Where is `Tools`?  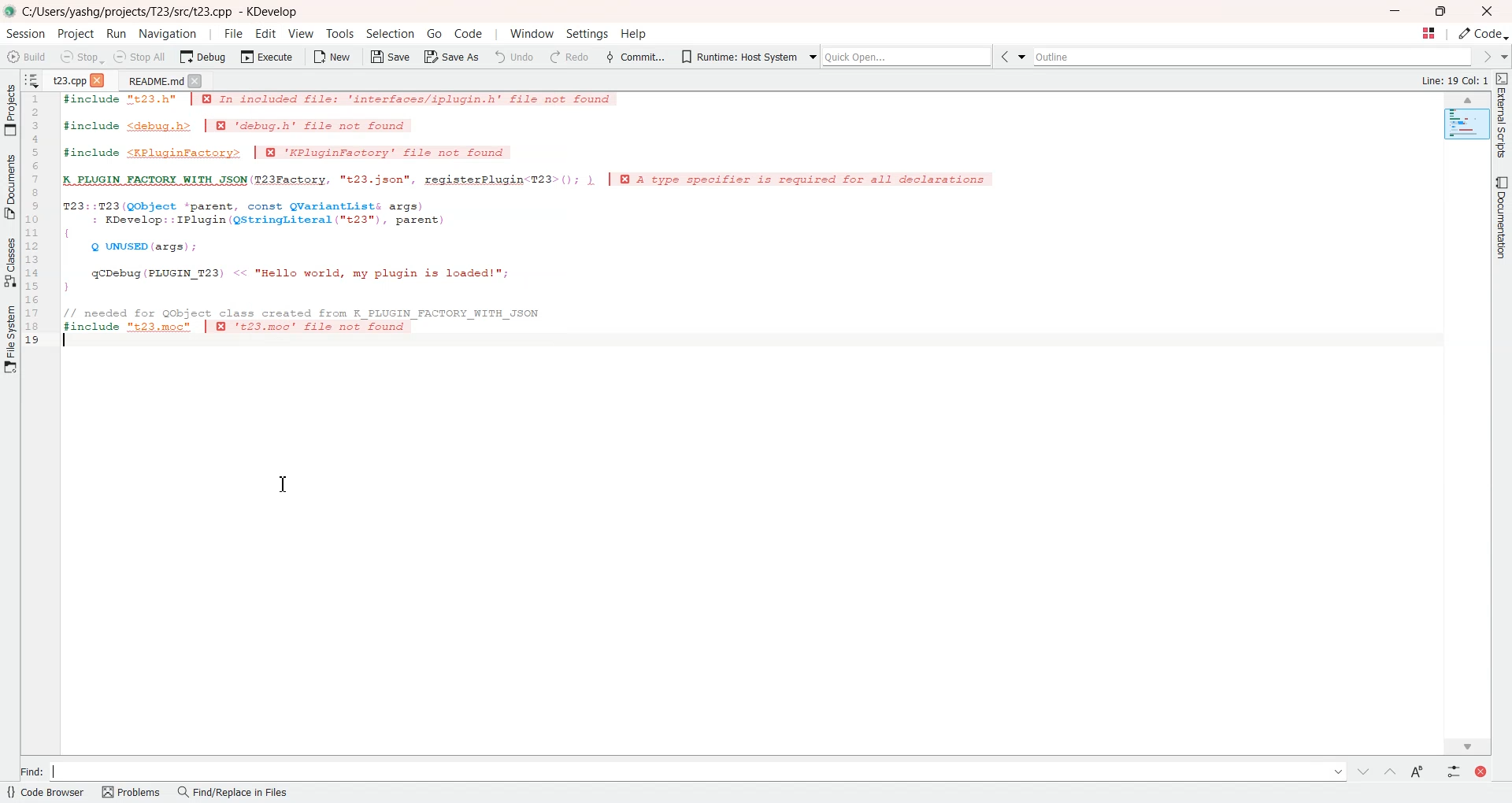
Tools is located at coordinates (339, 34).